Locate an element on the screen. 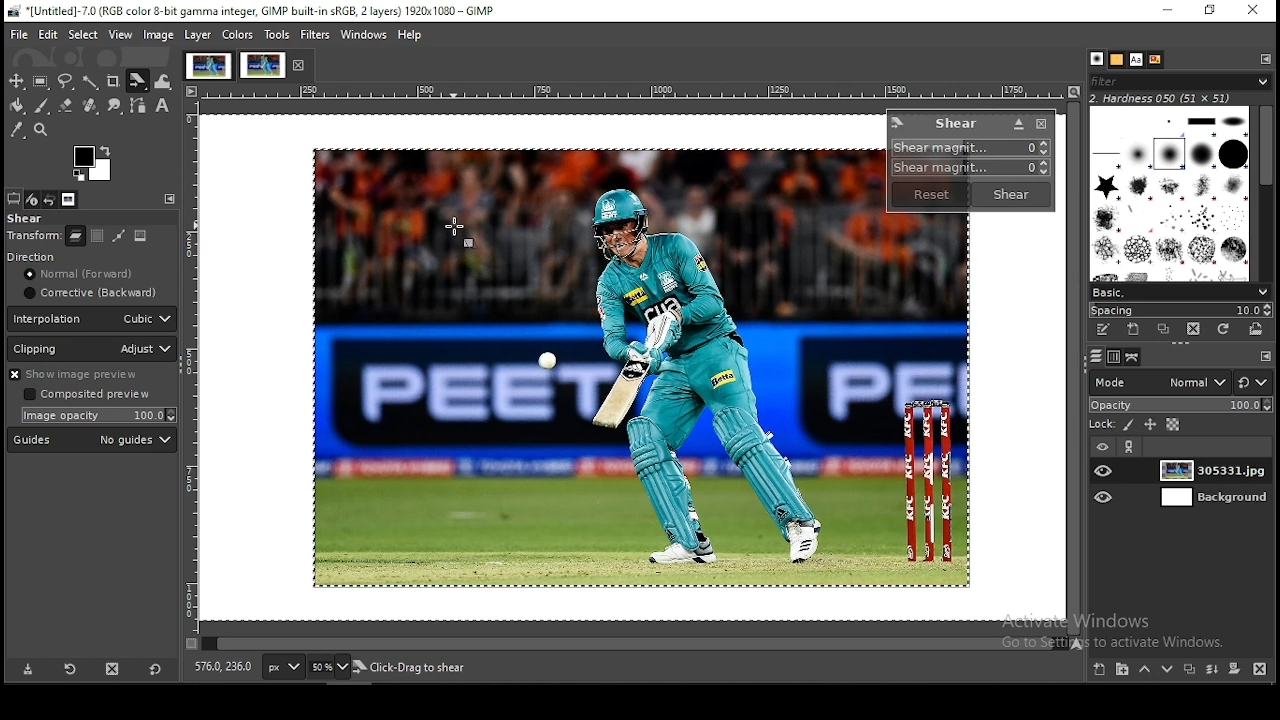  layer visibility on/off is located at coordinates (1106, 496).